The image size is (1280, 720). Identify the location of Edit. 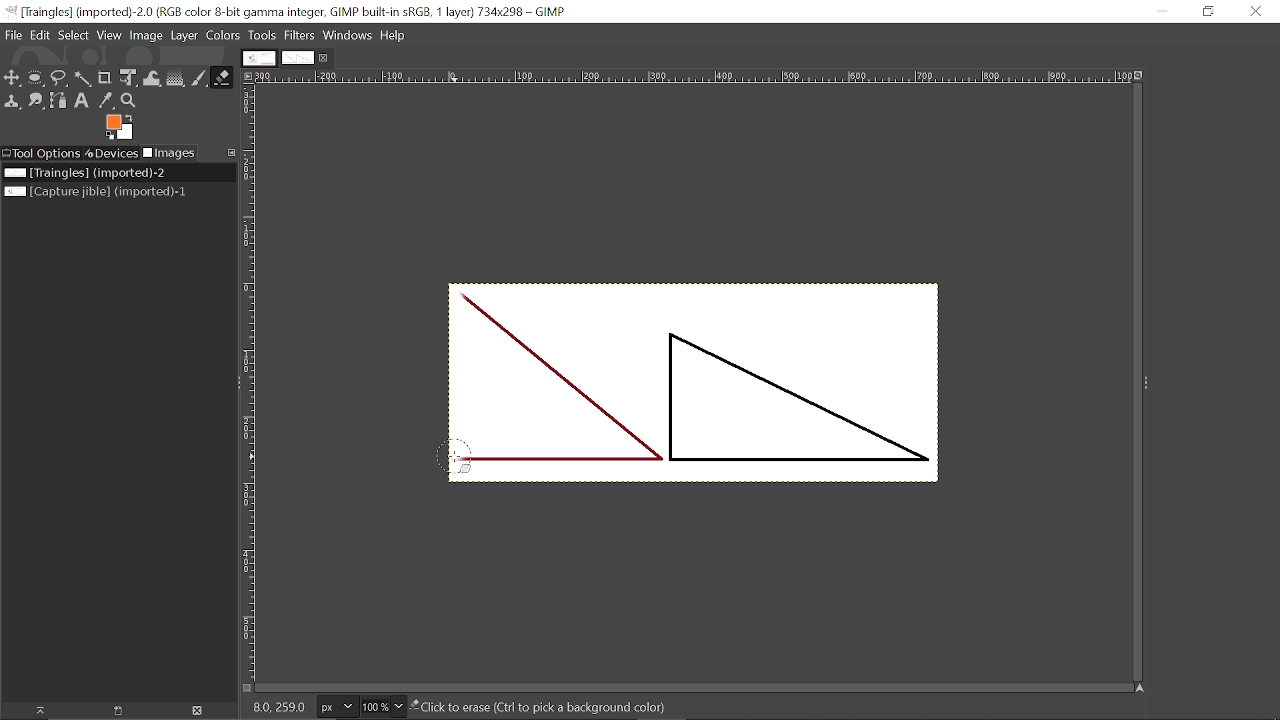
(39, 34).